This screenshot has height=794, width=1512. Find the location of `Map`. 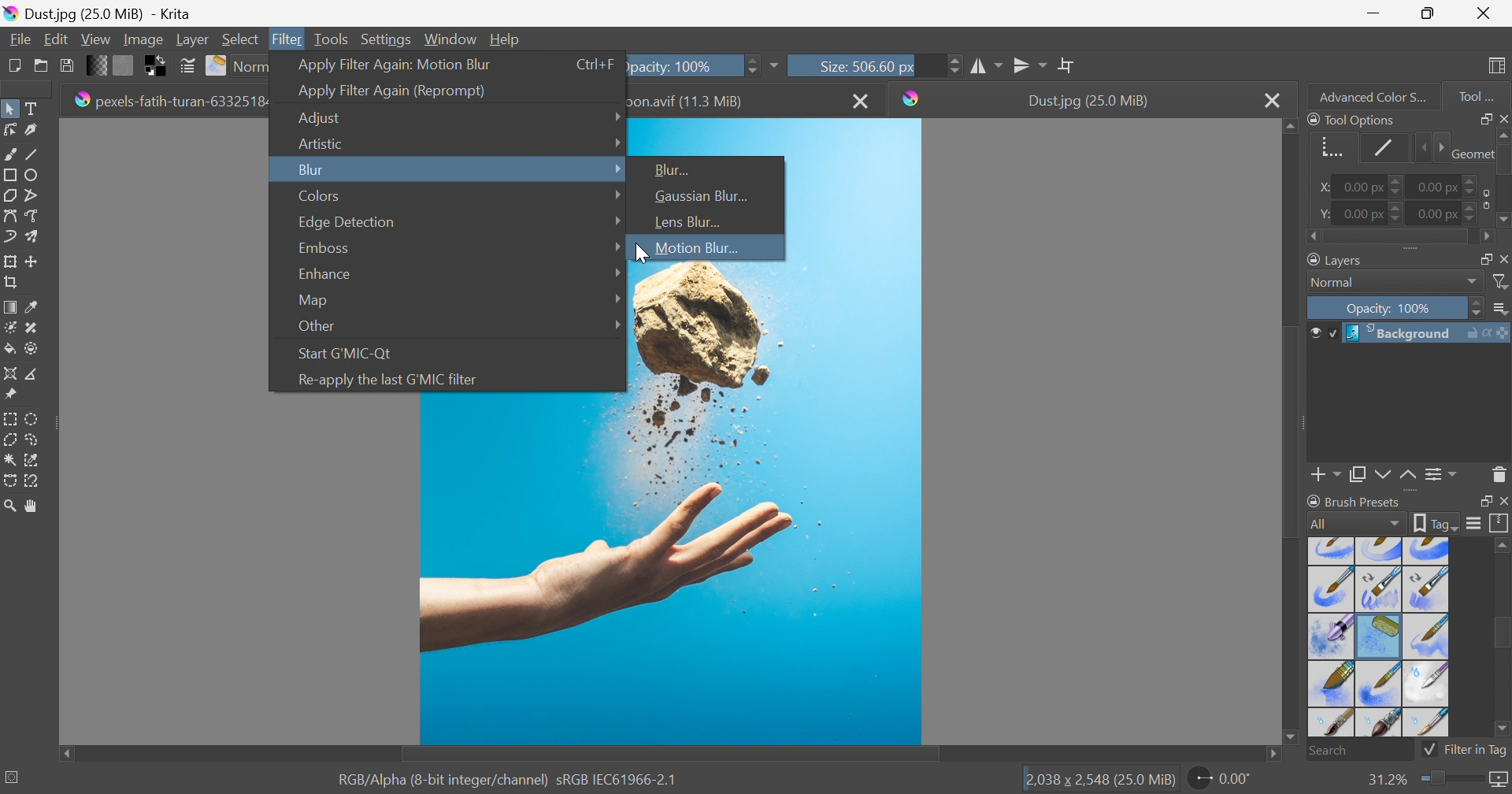

Map is located at coordinates (312, 301).